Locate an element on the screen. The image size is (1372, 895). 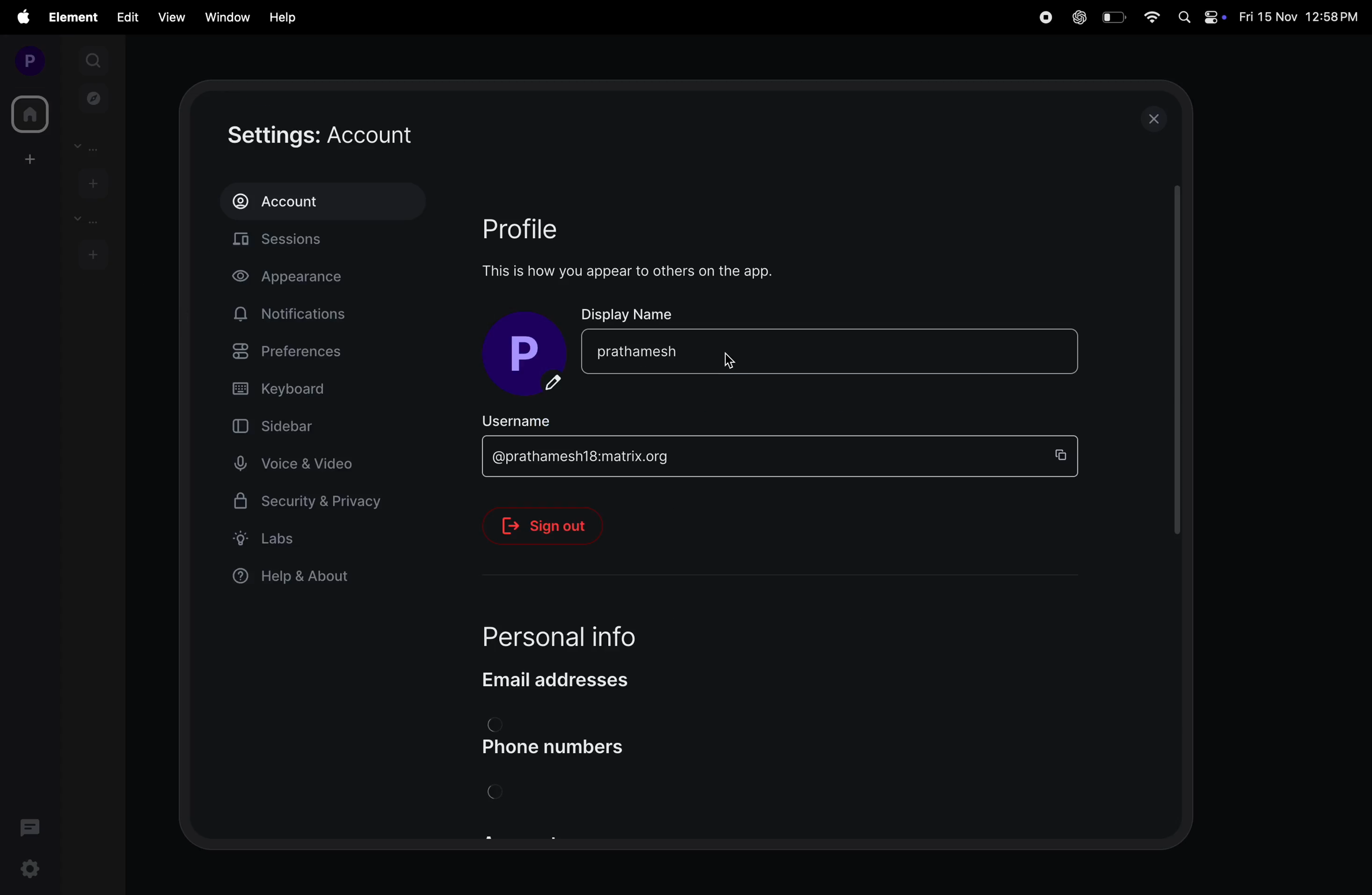
Display name is located at coordinates (630, 313).